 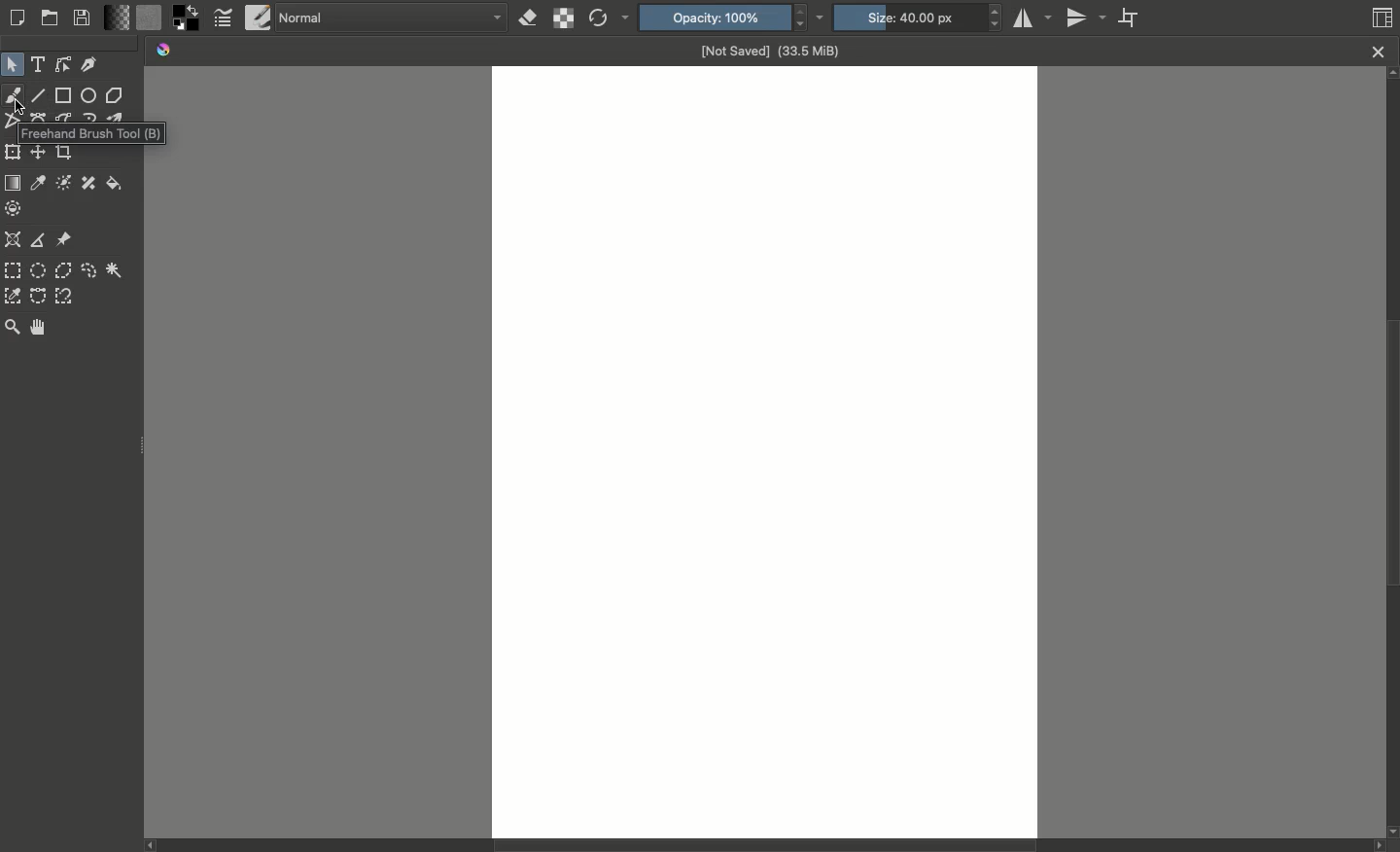 I want to click on Fil, so click(x=115, y=185).